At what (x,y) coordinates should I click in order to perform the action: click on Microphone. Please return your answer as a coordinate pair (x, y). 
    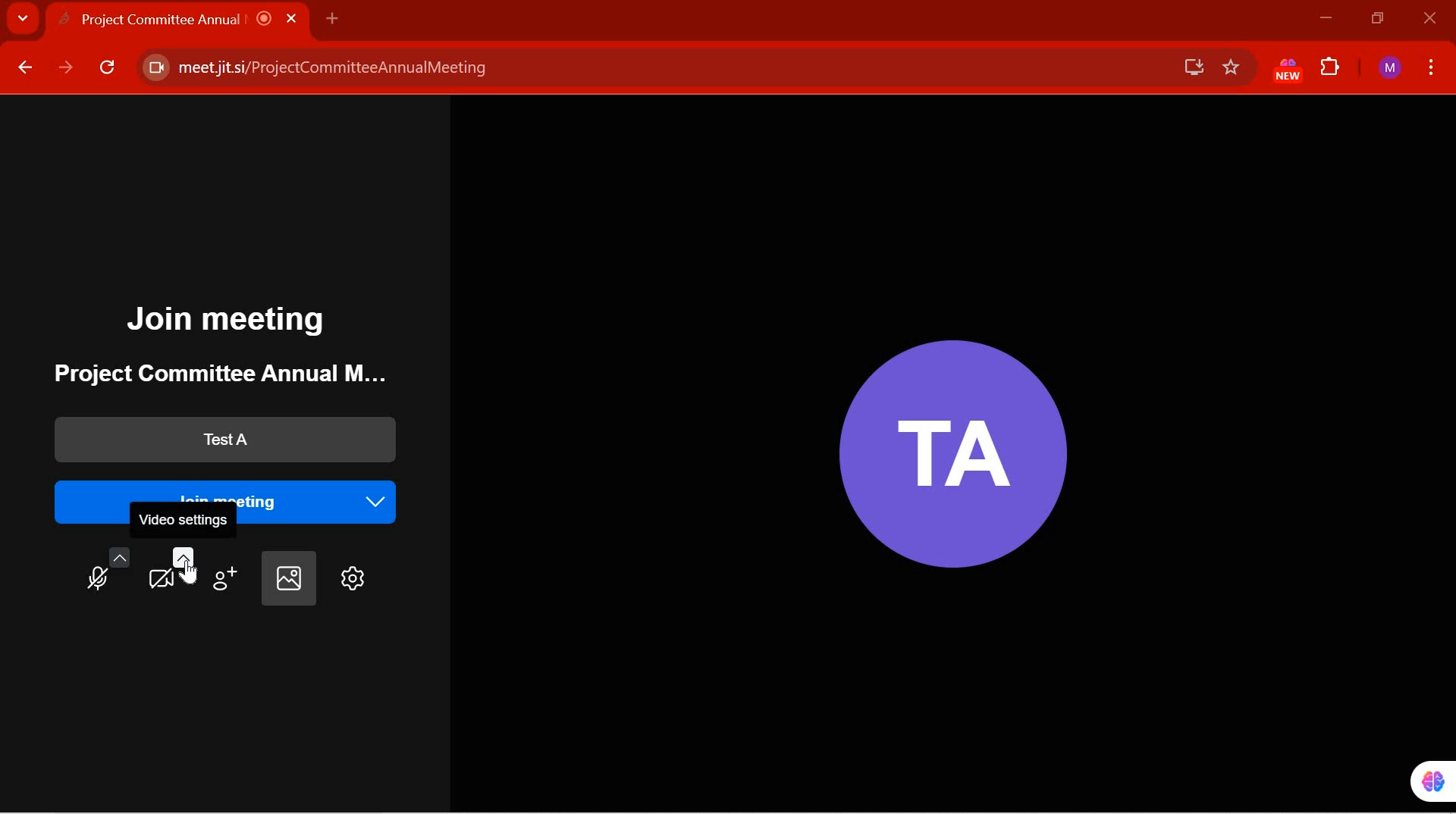
    Looking at the image, I should click on (104, 573).